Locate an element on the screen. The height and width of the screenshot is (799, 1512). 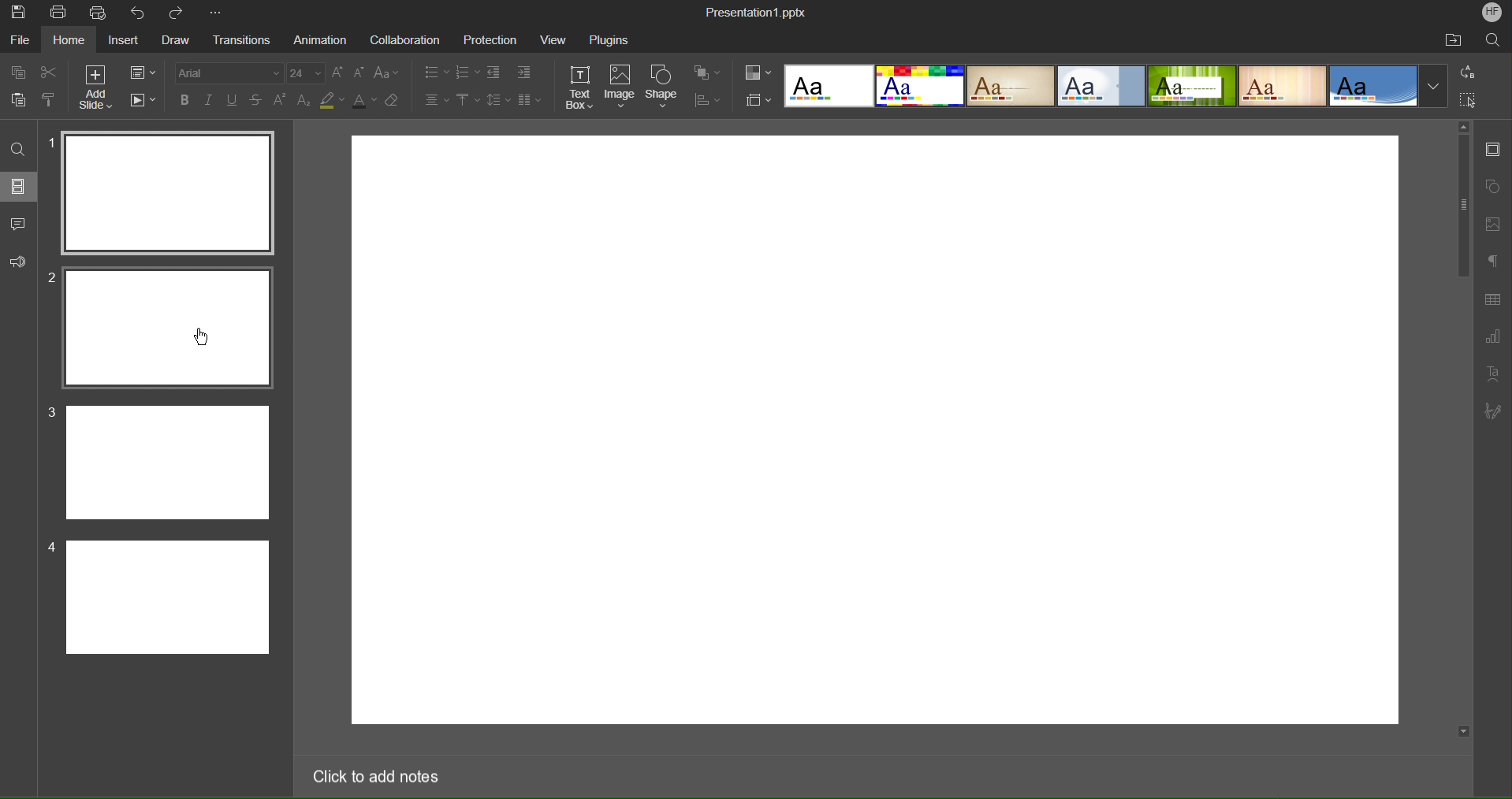
superscript is located at coordinates (281, 101).